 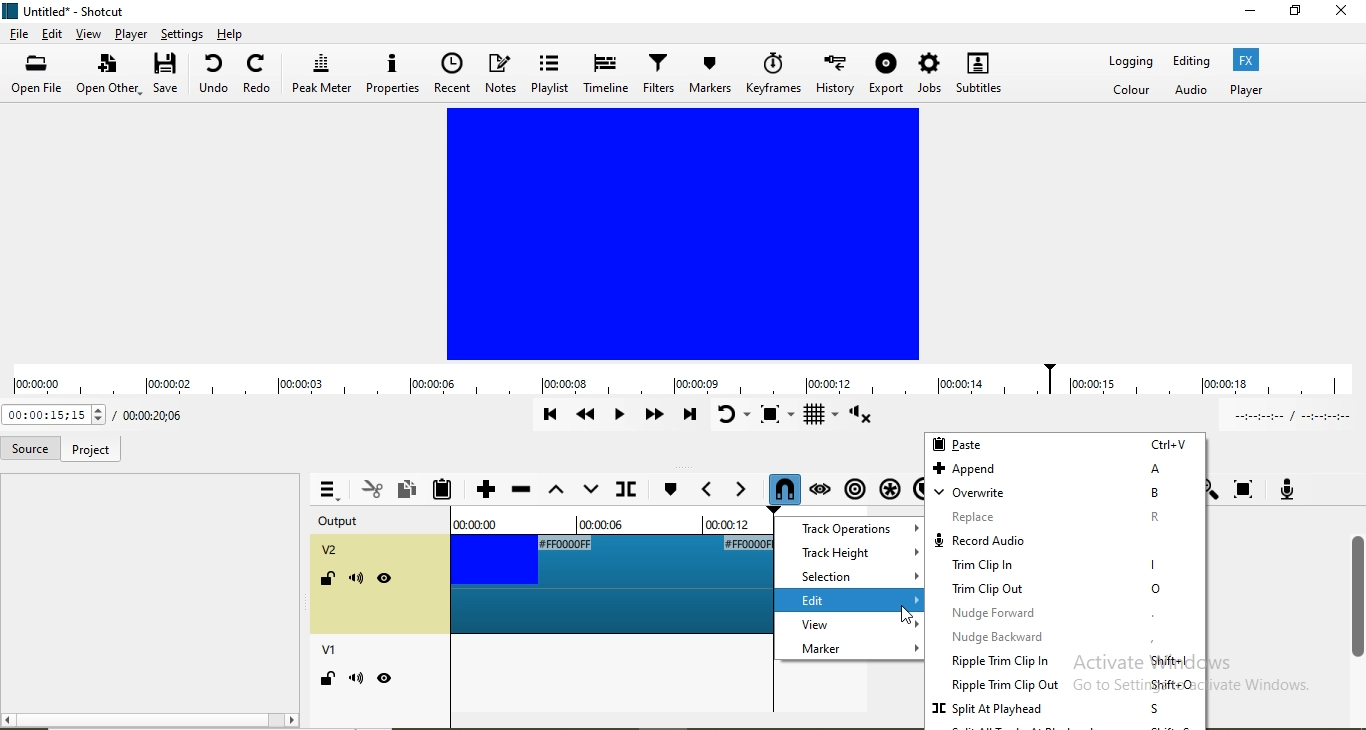 What do you see at coordinates (853, 486) in the screenshot?
I see `Ripple markers` at bounding box center [853, 486].